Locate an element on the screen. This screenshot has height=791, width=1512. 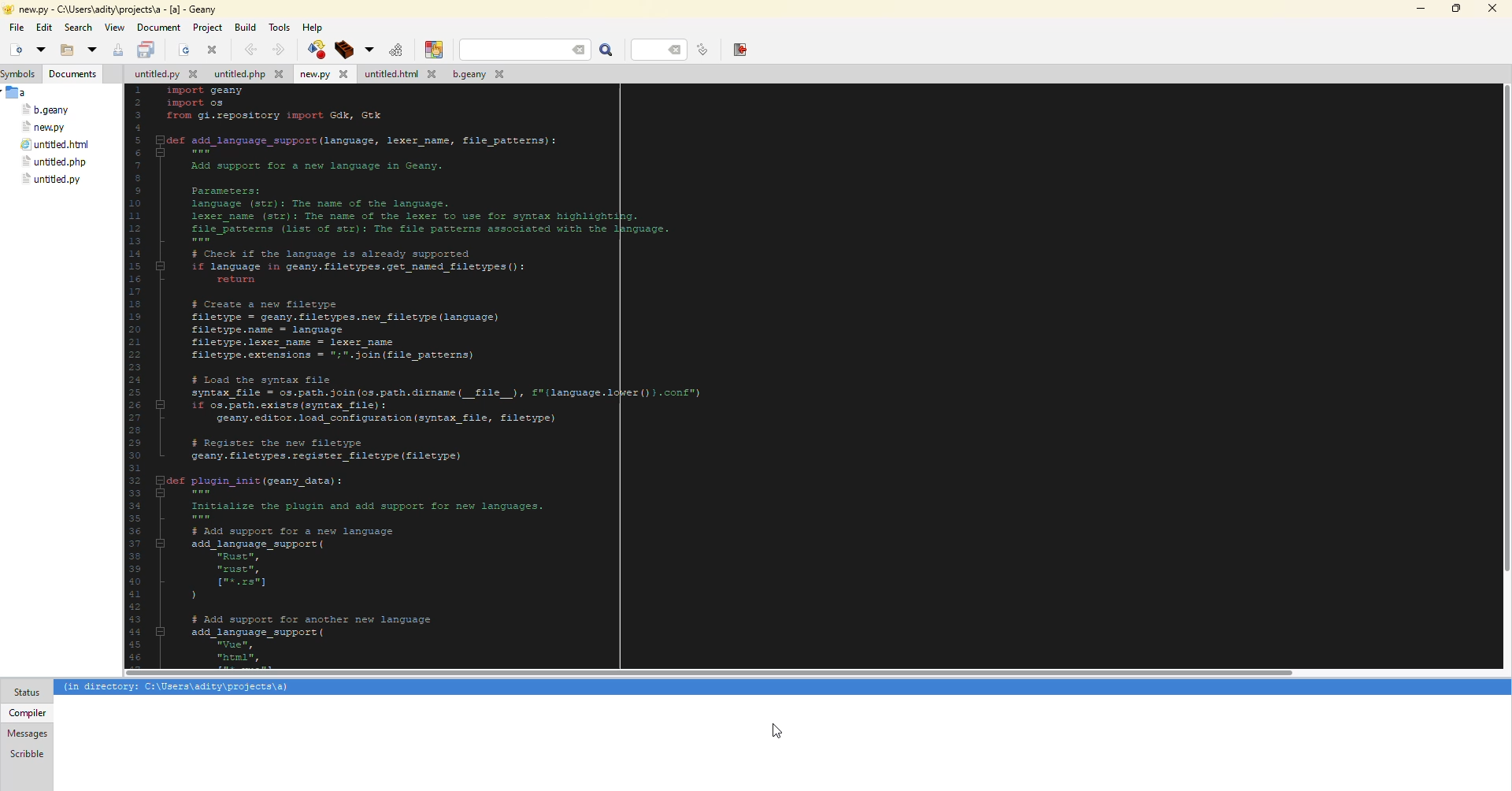
build tool is located at coordinates (370, 50).